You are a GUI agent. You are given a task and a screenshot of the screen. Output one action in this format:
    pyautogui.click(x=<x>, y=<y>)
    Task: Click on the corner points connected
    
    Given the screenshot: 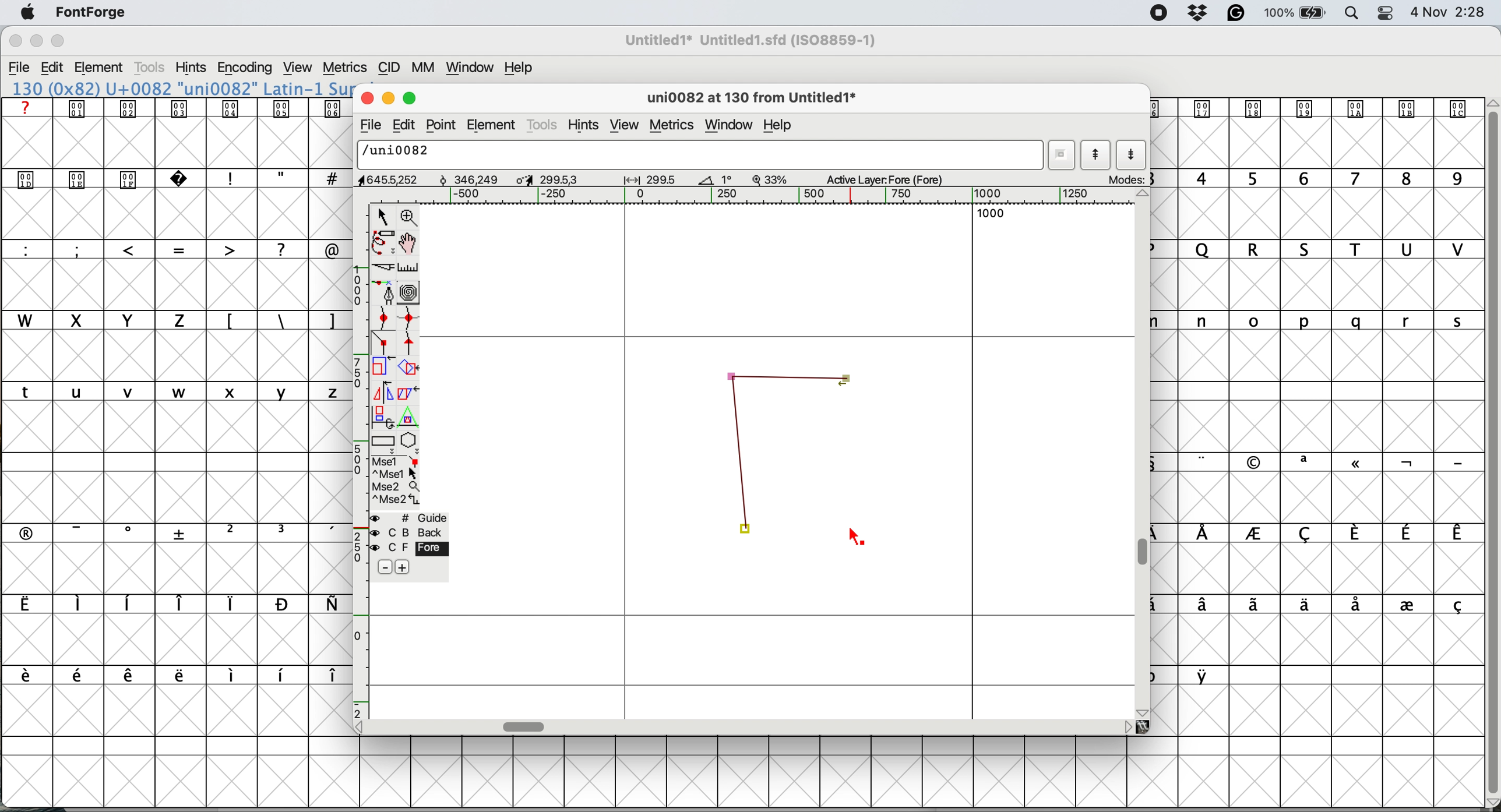 What is the action you would take?
    pyautogui.click(x=741, y=461)
    